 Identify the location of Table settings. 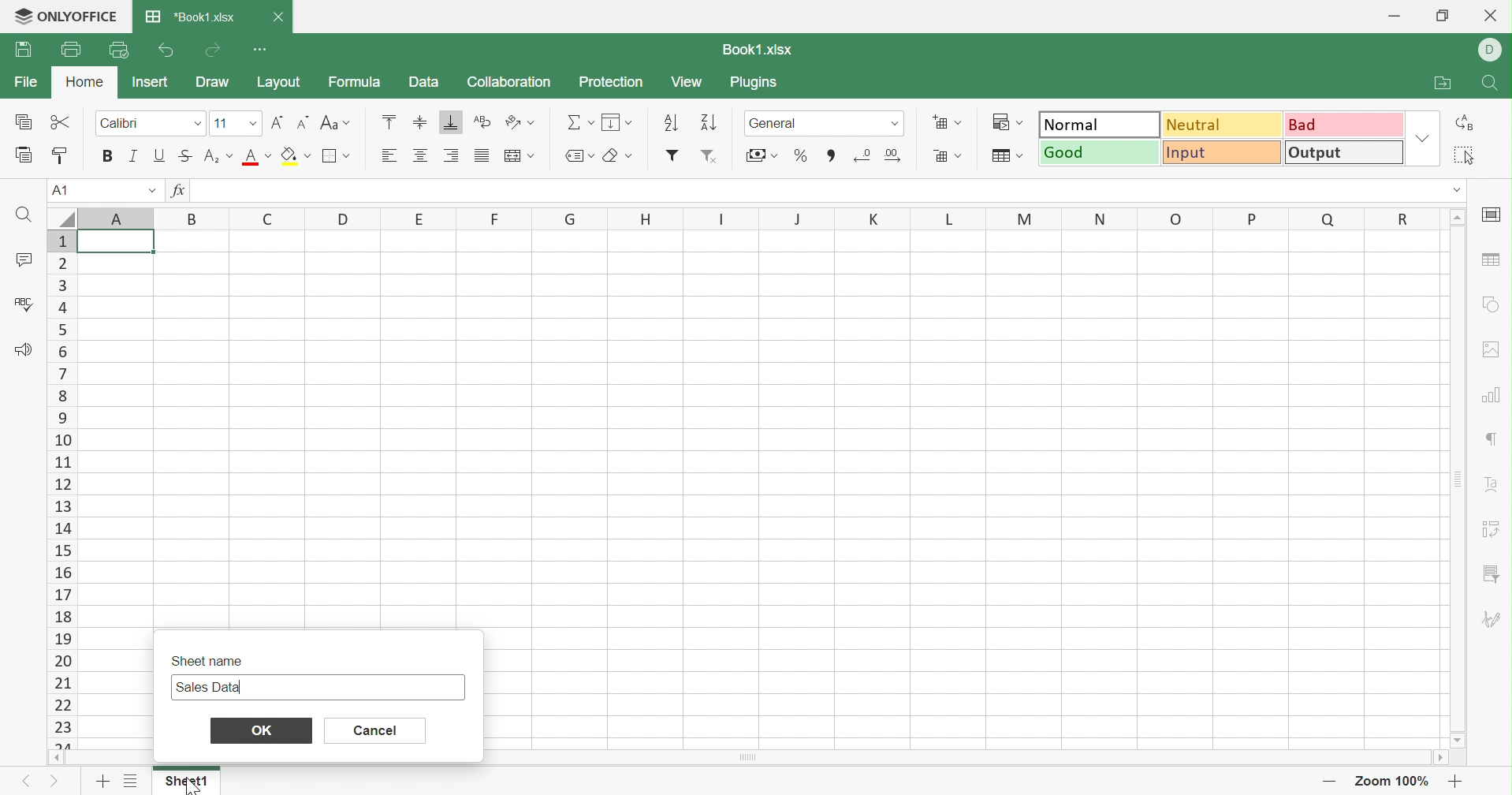
(1491, 256).